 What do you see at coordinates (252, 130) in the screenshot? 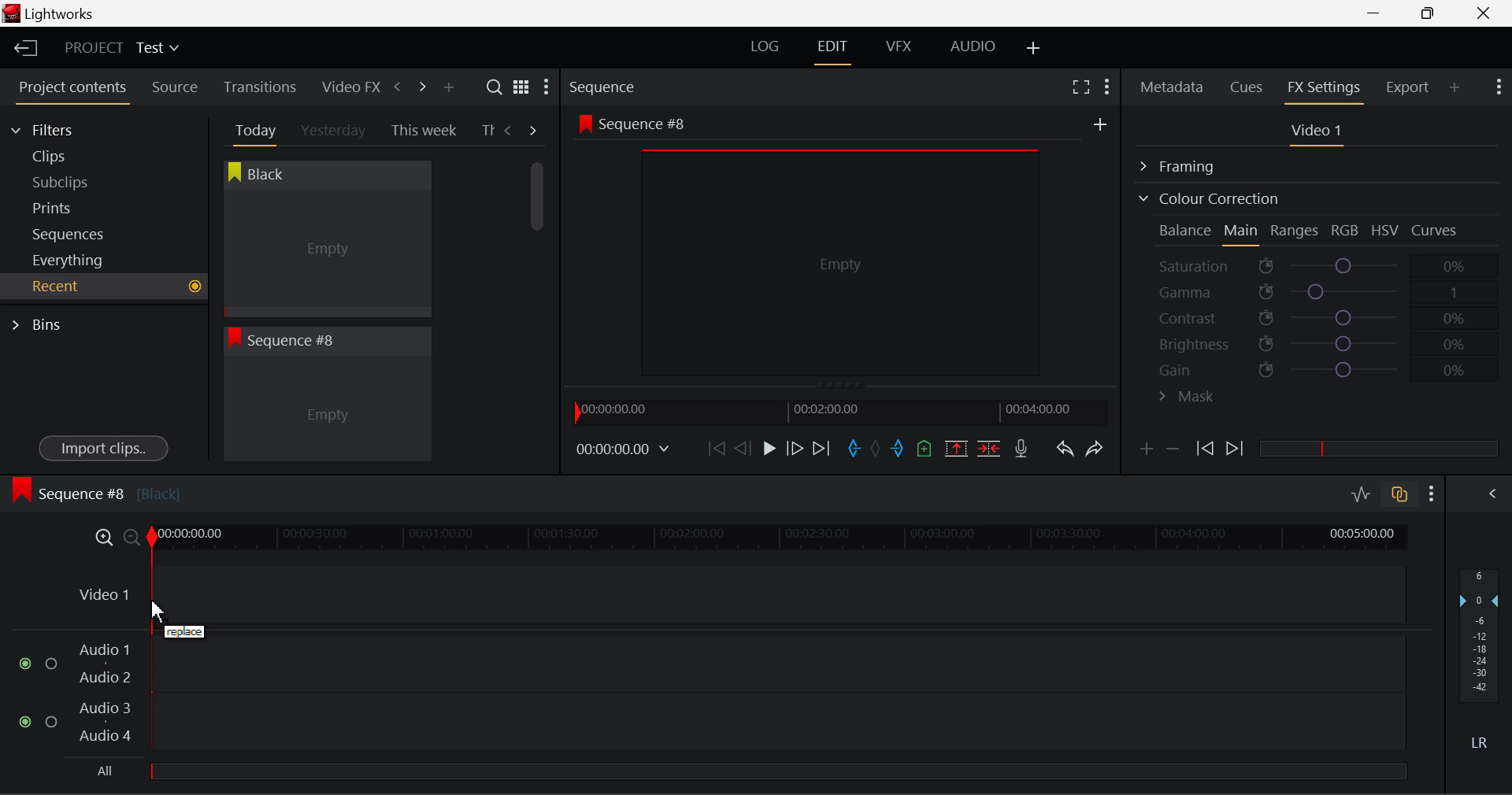
I see `Today Tab Open` at bounding box center [252, 130].